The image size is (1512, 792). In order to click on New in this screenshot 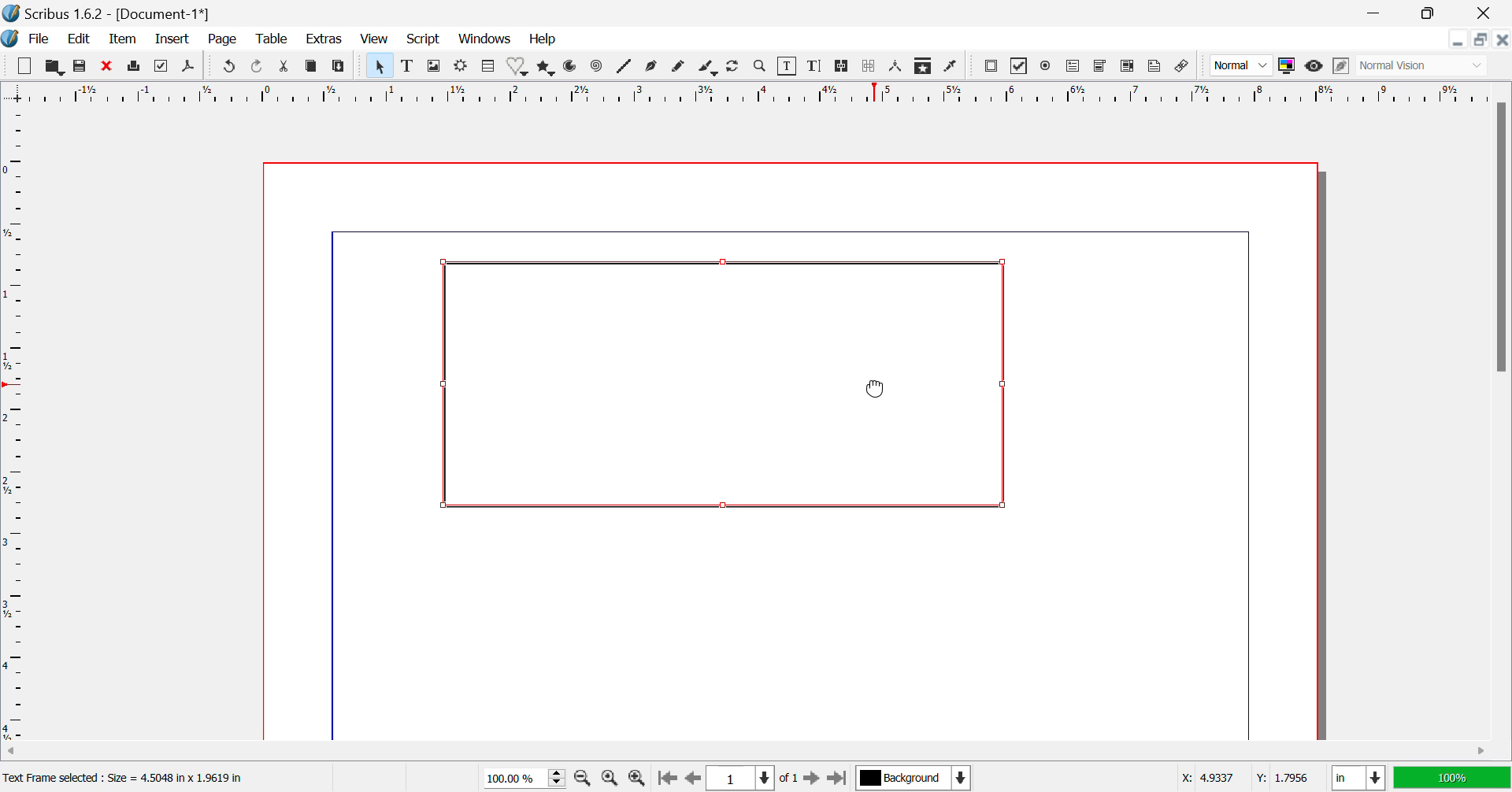, I will do `click(24, 65)`.